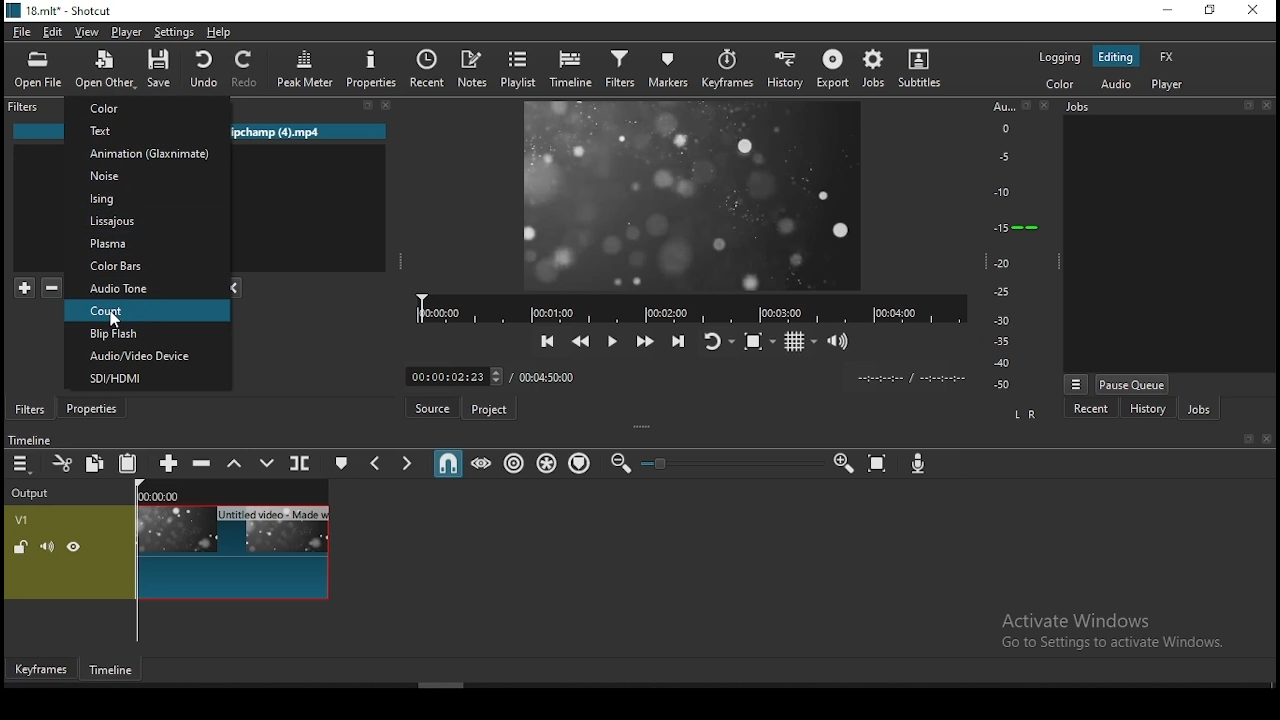 The image size is (1280, 720). Describe the element at coordinates (159, 70) in the screenshot. I see `save` at that location.